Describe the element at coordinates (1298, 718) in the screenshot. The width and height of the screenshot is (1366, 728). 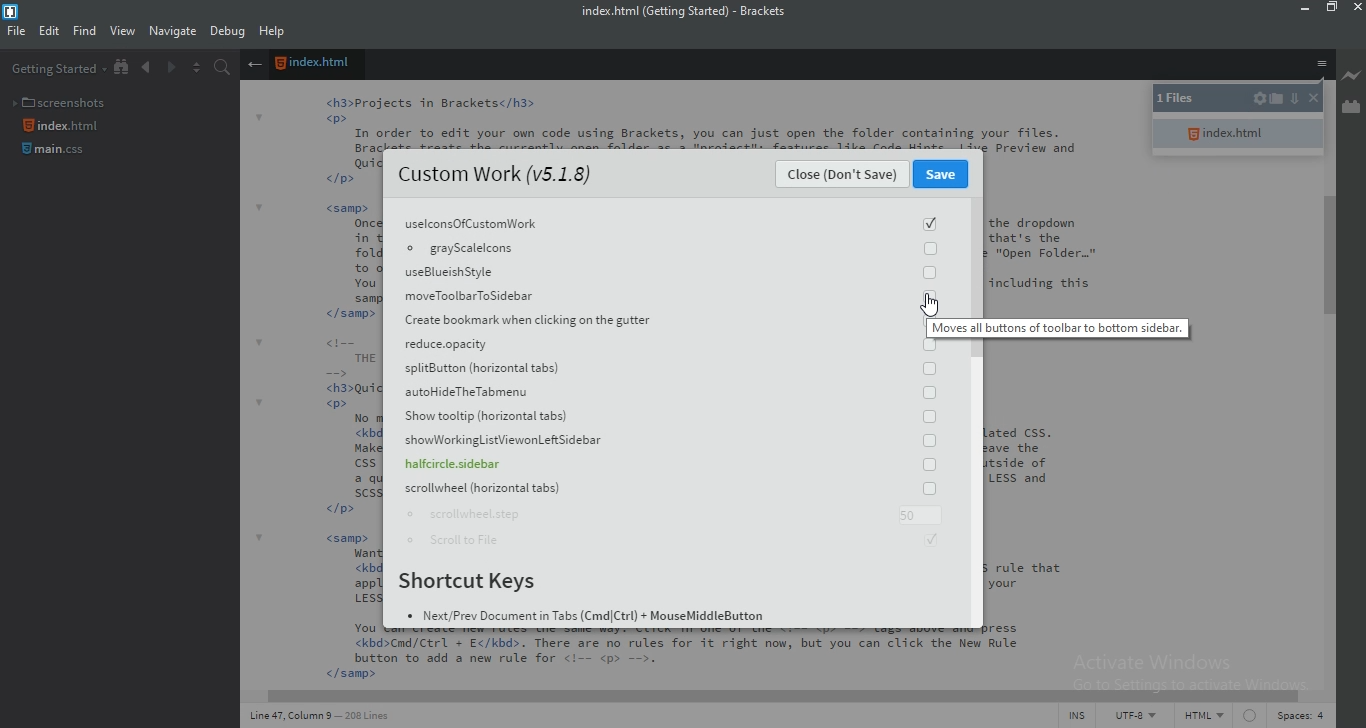
I see `space: 4` at that location.